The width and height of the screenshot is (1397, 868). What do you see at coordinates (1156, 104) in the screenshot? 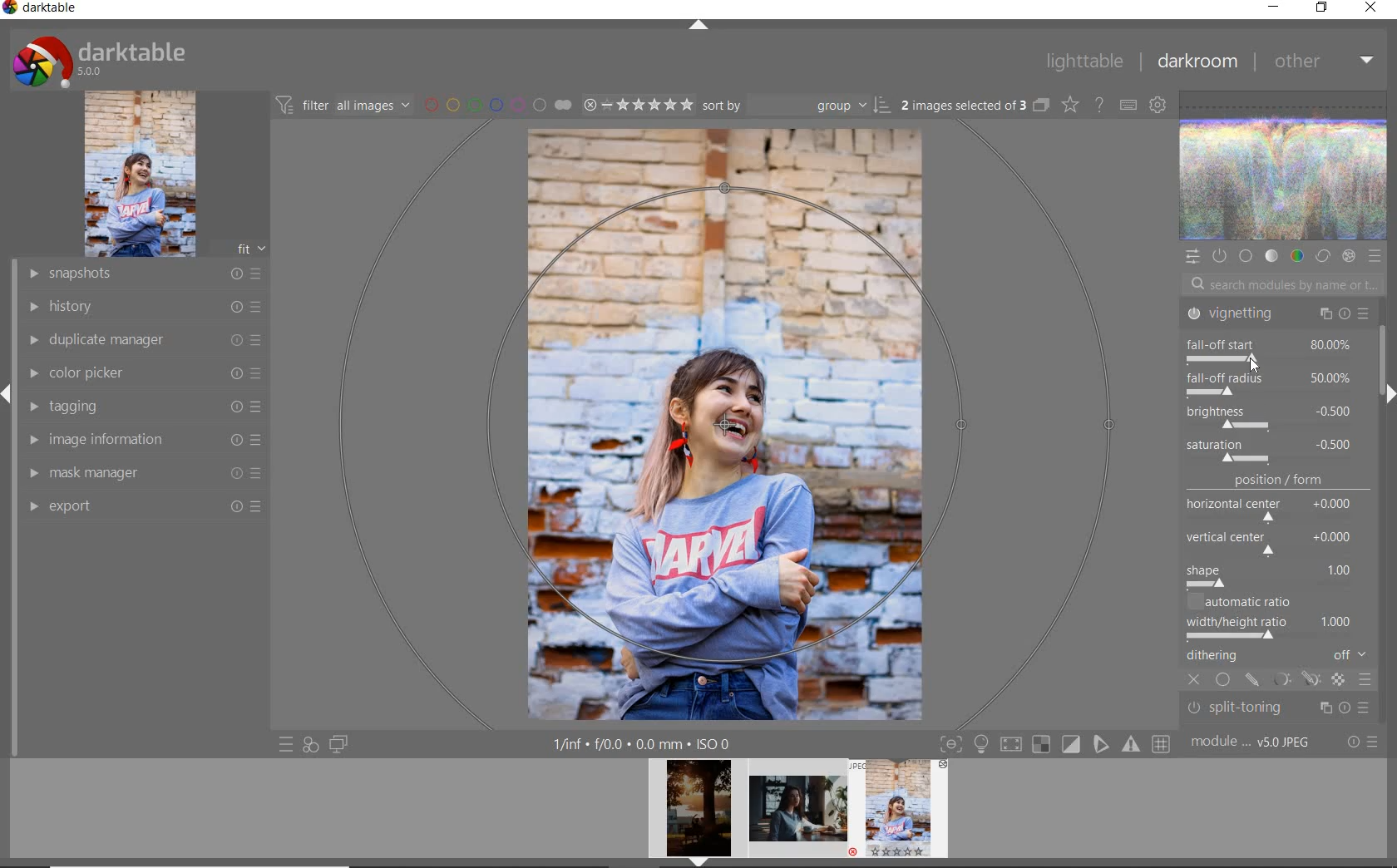
I see `SHOW GLOBAL PREFERENCES` at bounding box center [1156, 104].